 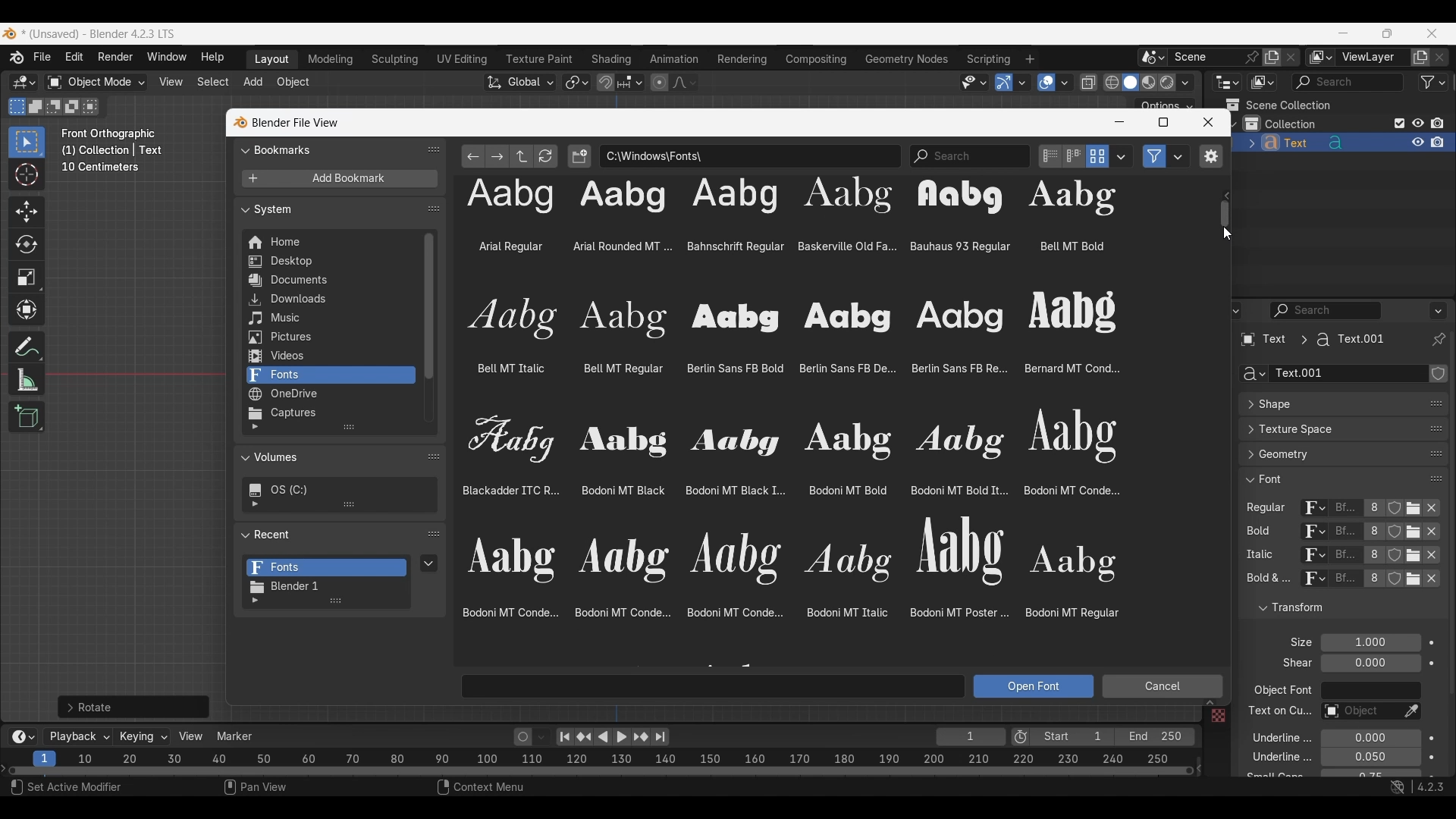 What do you see at coordinates (27, 142) in the screenshot?
I see `Select box` at bounding box center [27, 142].